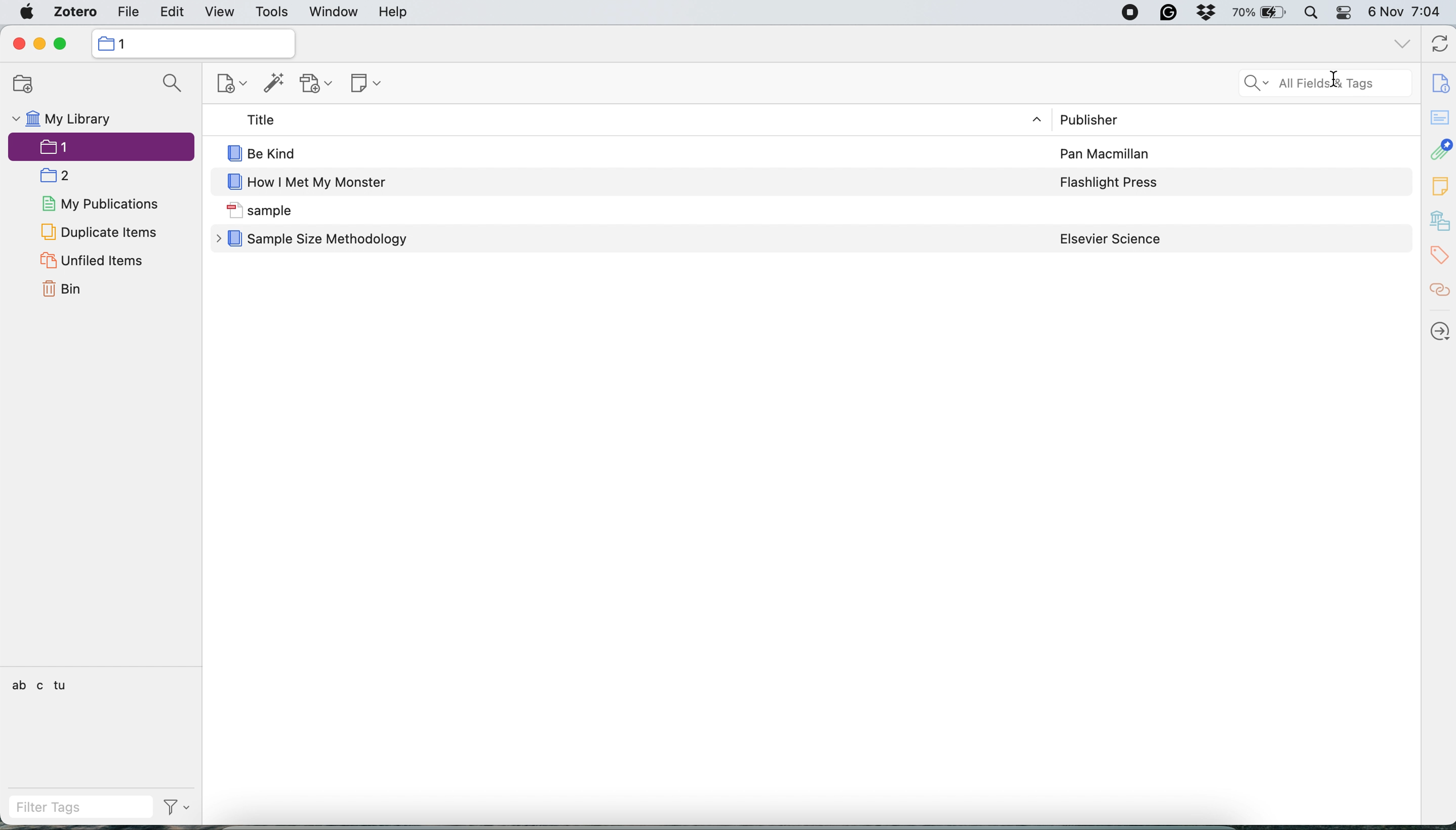  Describe the element at coordinates (1210, 13) in the screenshot. I see `dropbox` at that location.